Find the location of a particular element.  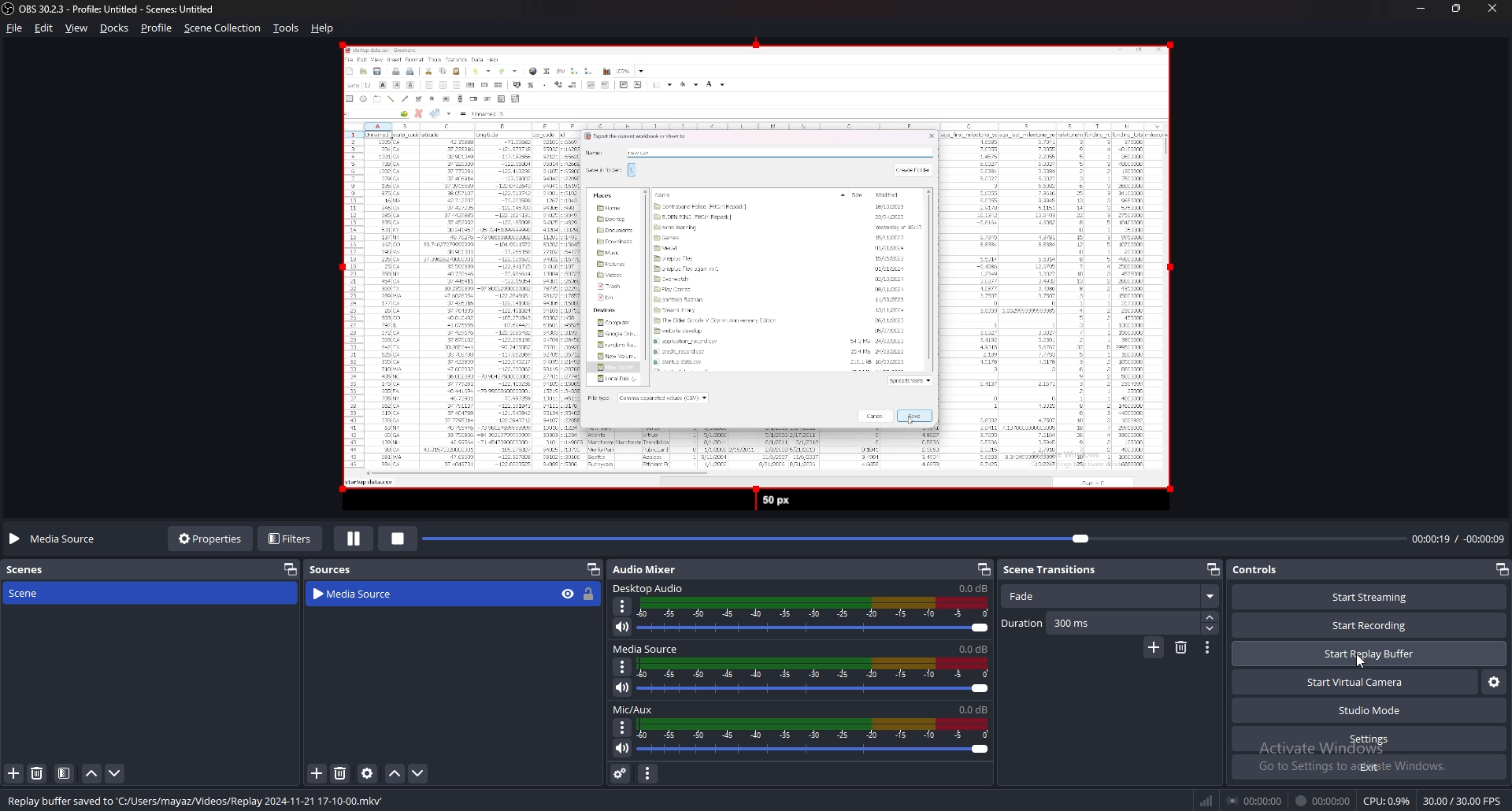

add transition is located at coordinates (1154, 647).